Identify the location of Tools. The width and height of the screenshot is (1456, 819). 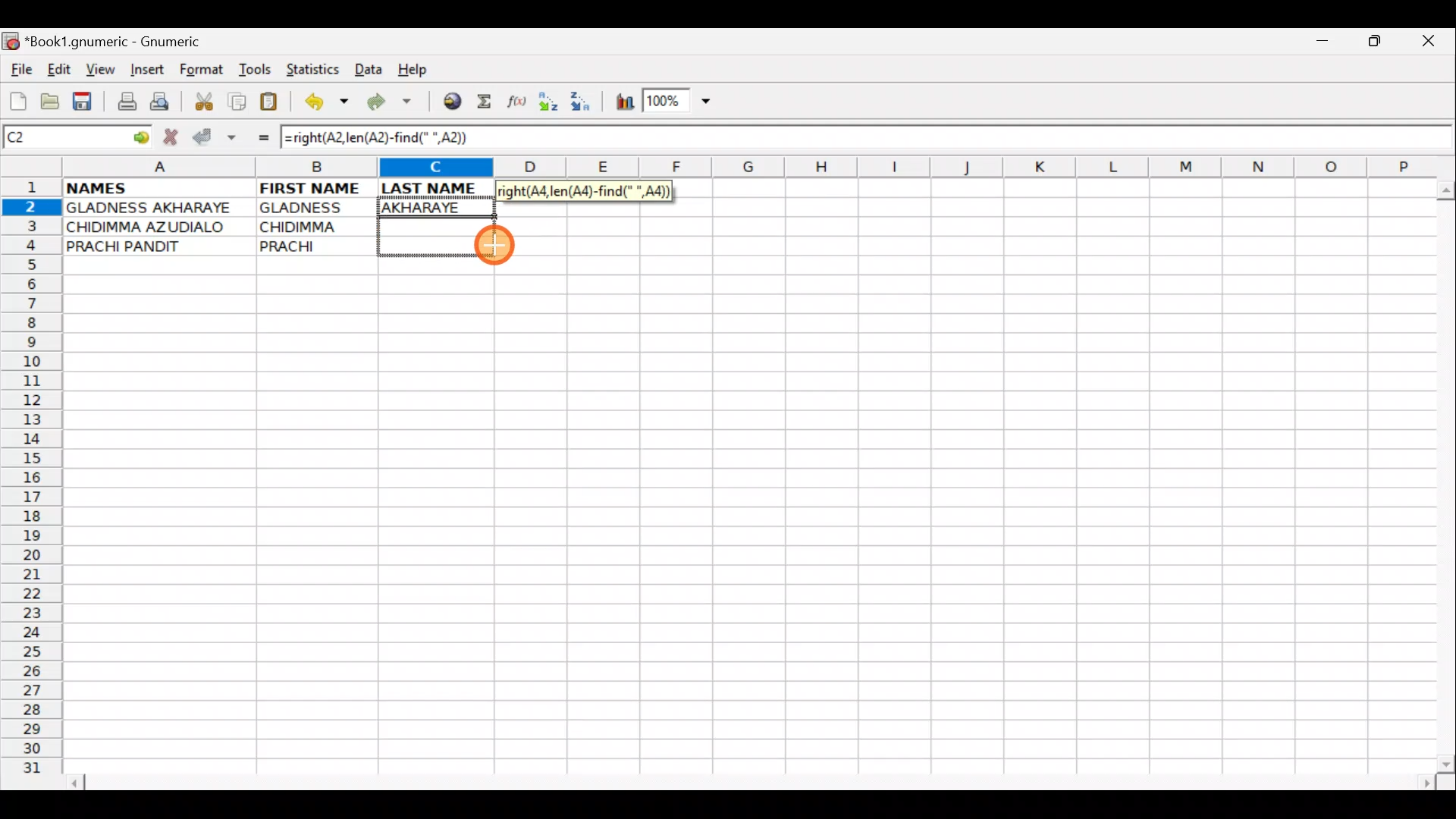
(256, 70).